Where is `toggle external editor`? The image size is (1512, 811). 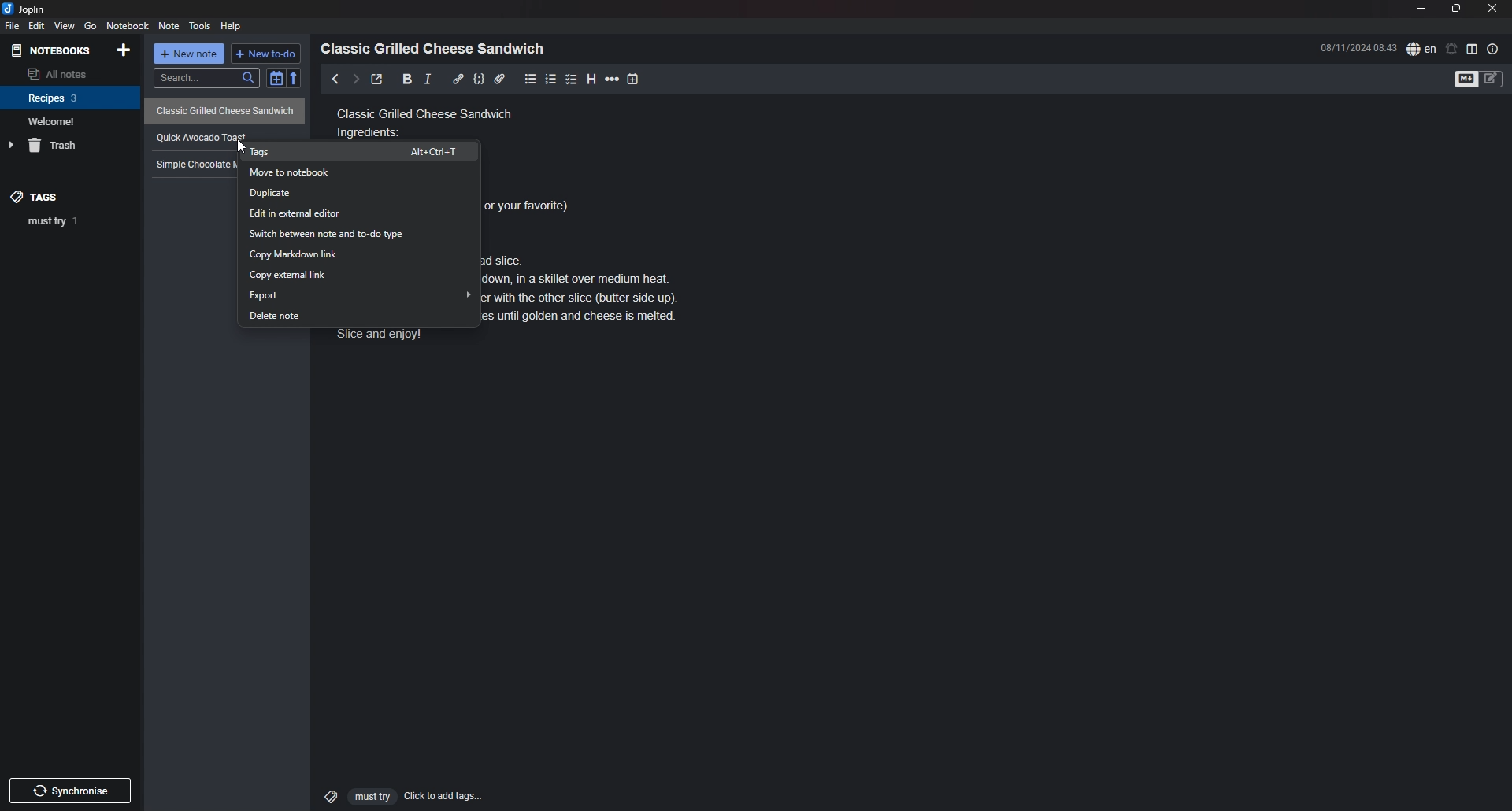
toggle external editor is located at coordinates (376, 81).